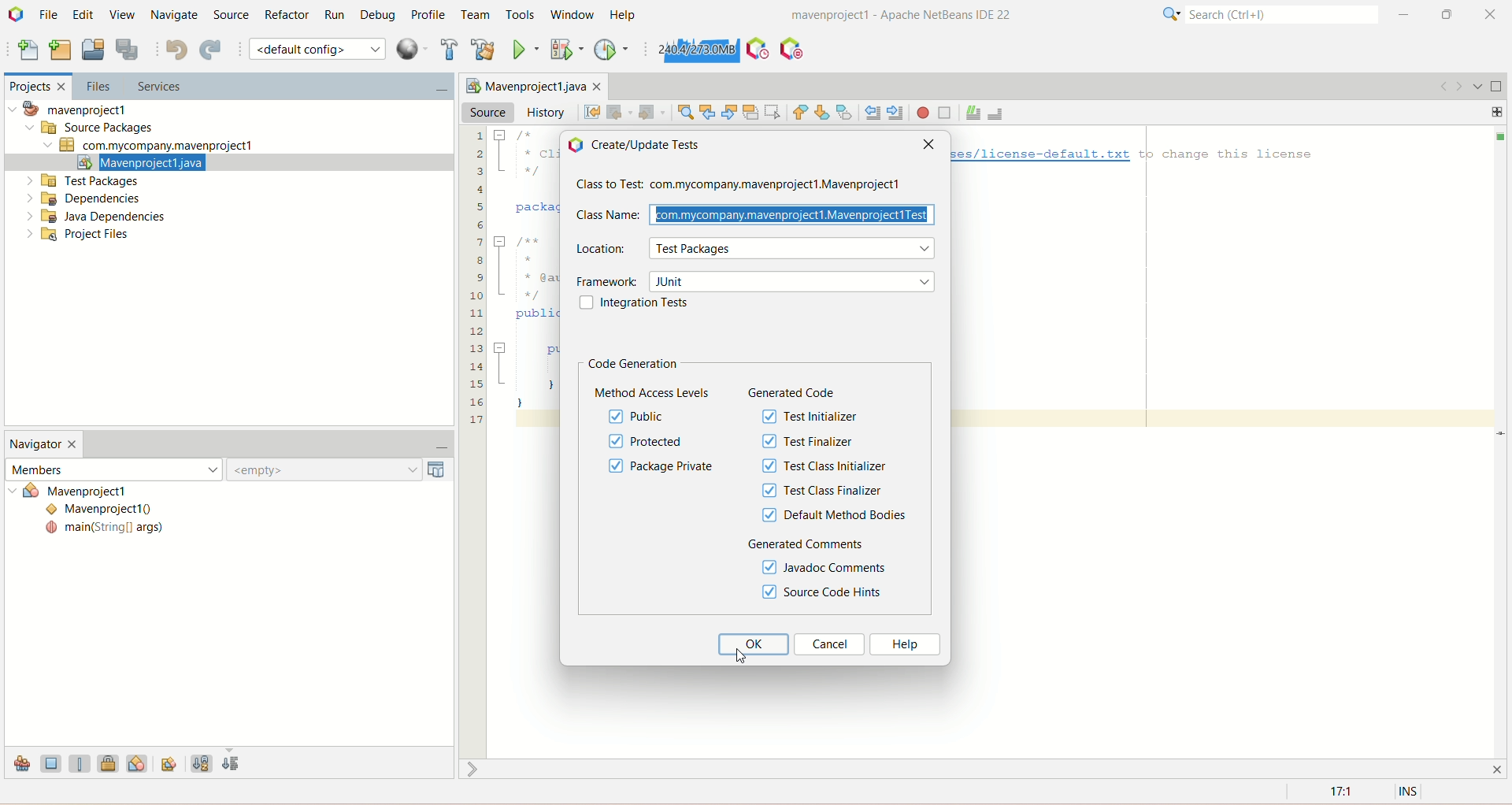 Image resolution: width=1512 pixels, height=805 pixels. I want to click on default method bodies, so click(837, 516).